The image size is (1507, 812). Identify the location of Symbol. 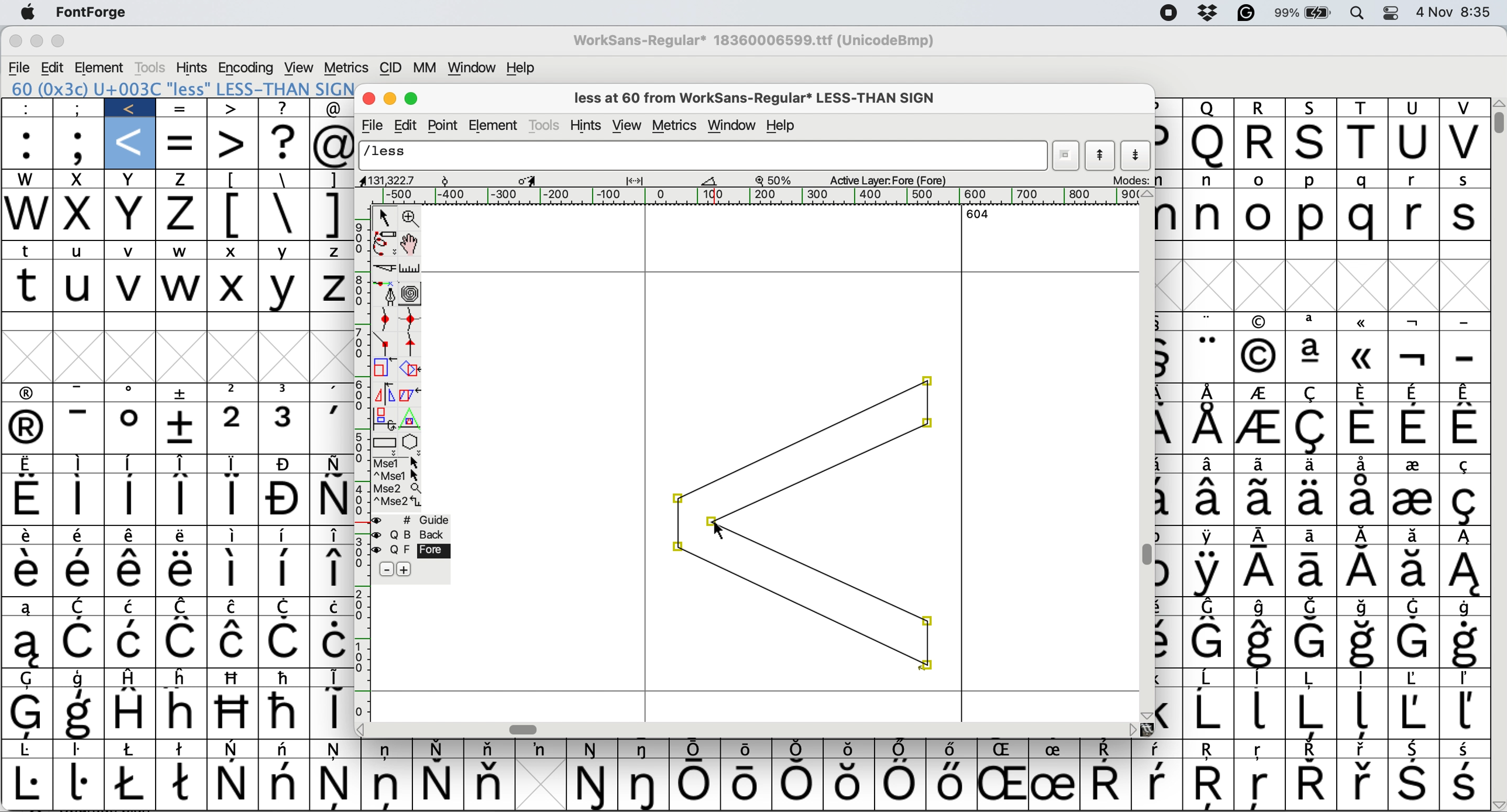
(1210, 642).